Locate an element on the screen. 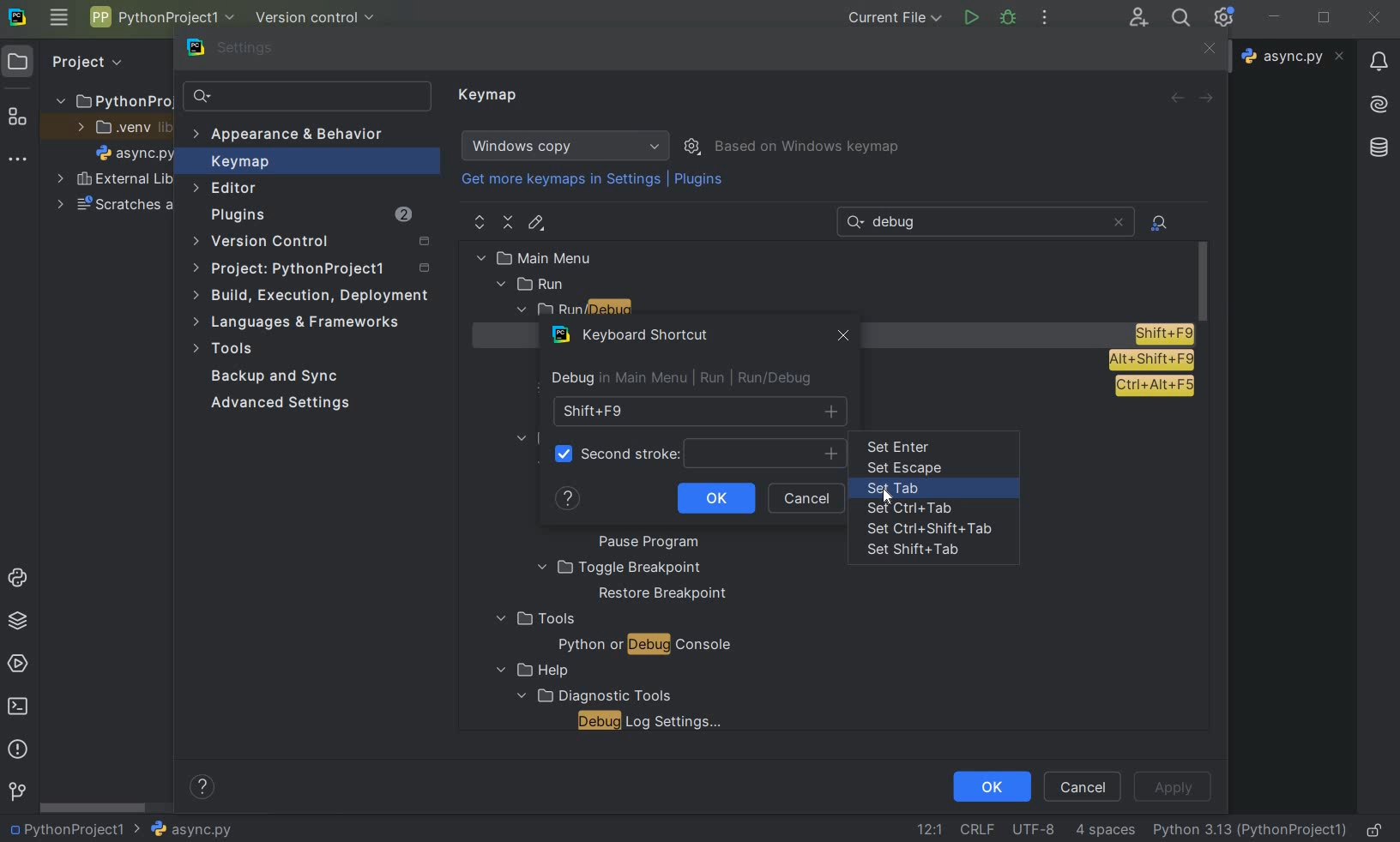 This screenshot has width=1400, height=842. expand all is located at coordinates (480, 223).